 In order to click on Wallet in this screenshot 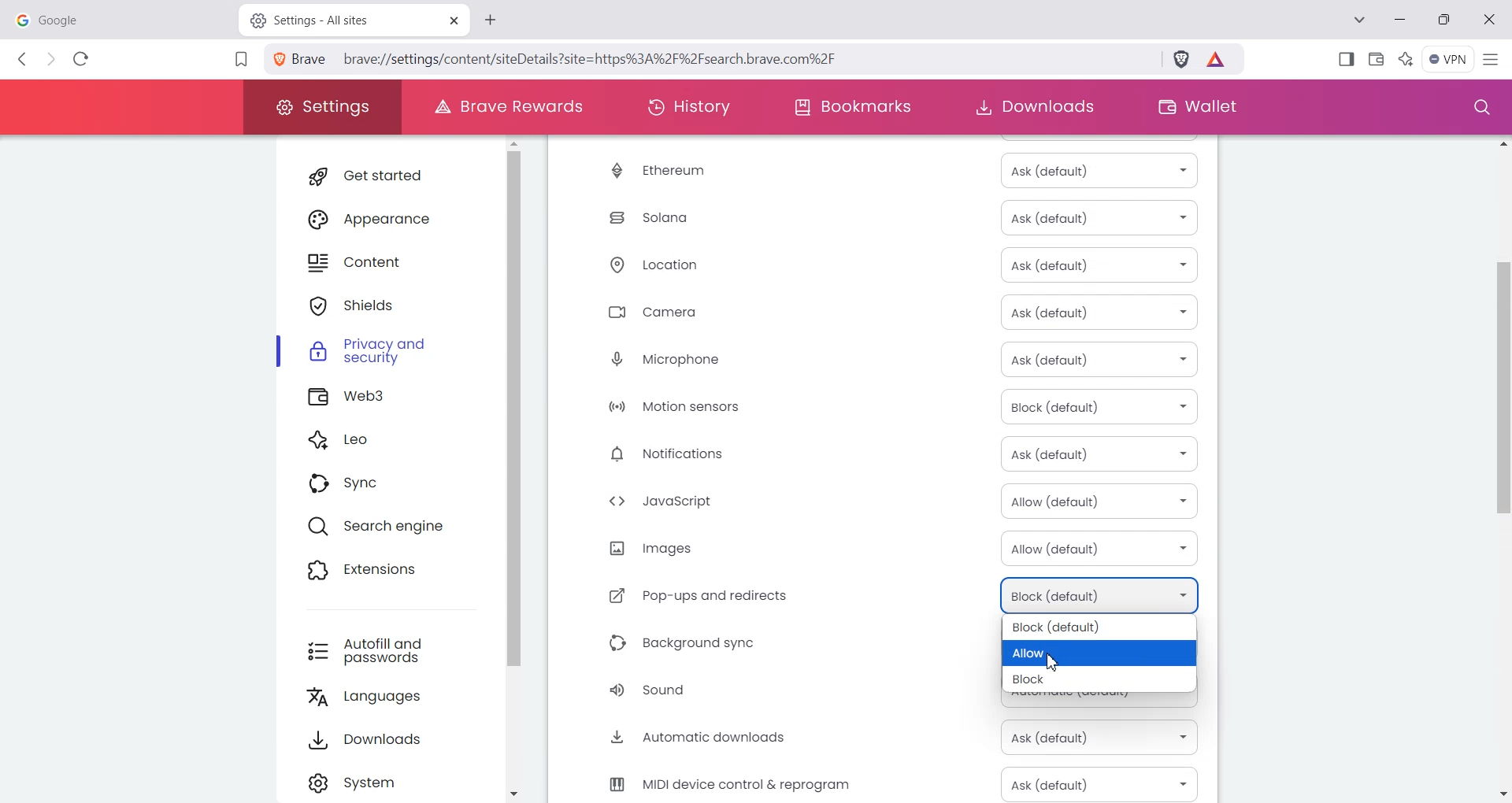, I will do `click(1195, 107)`.